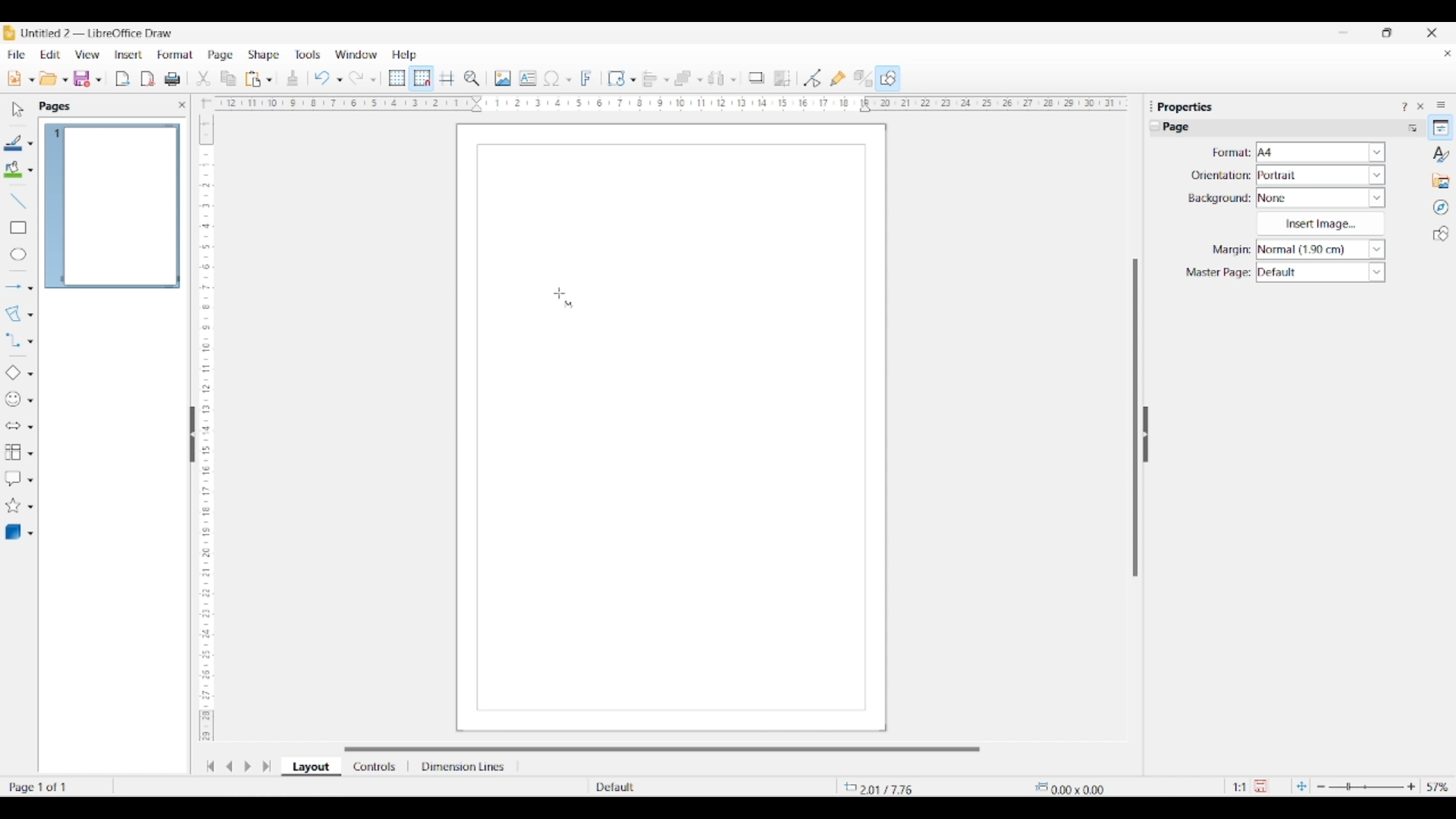  I want to click on Move to previous slide, so click(229, 766).